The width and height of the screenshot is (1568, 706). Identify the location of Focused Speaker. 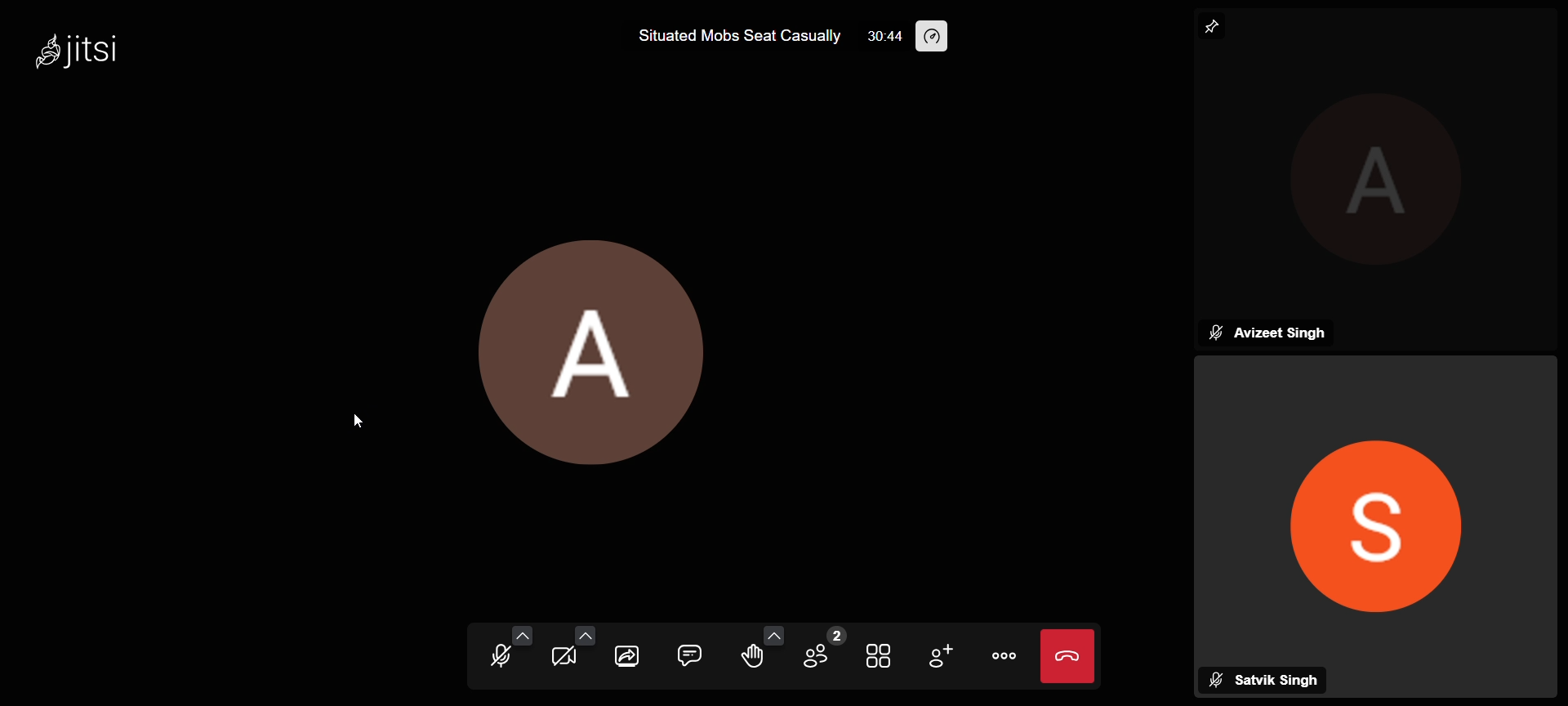
(1216, 25).